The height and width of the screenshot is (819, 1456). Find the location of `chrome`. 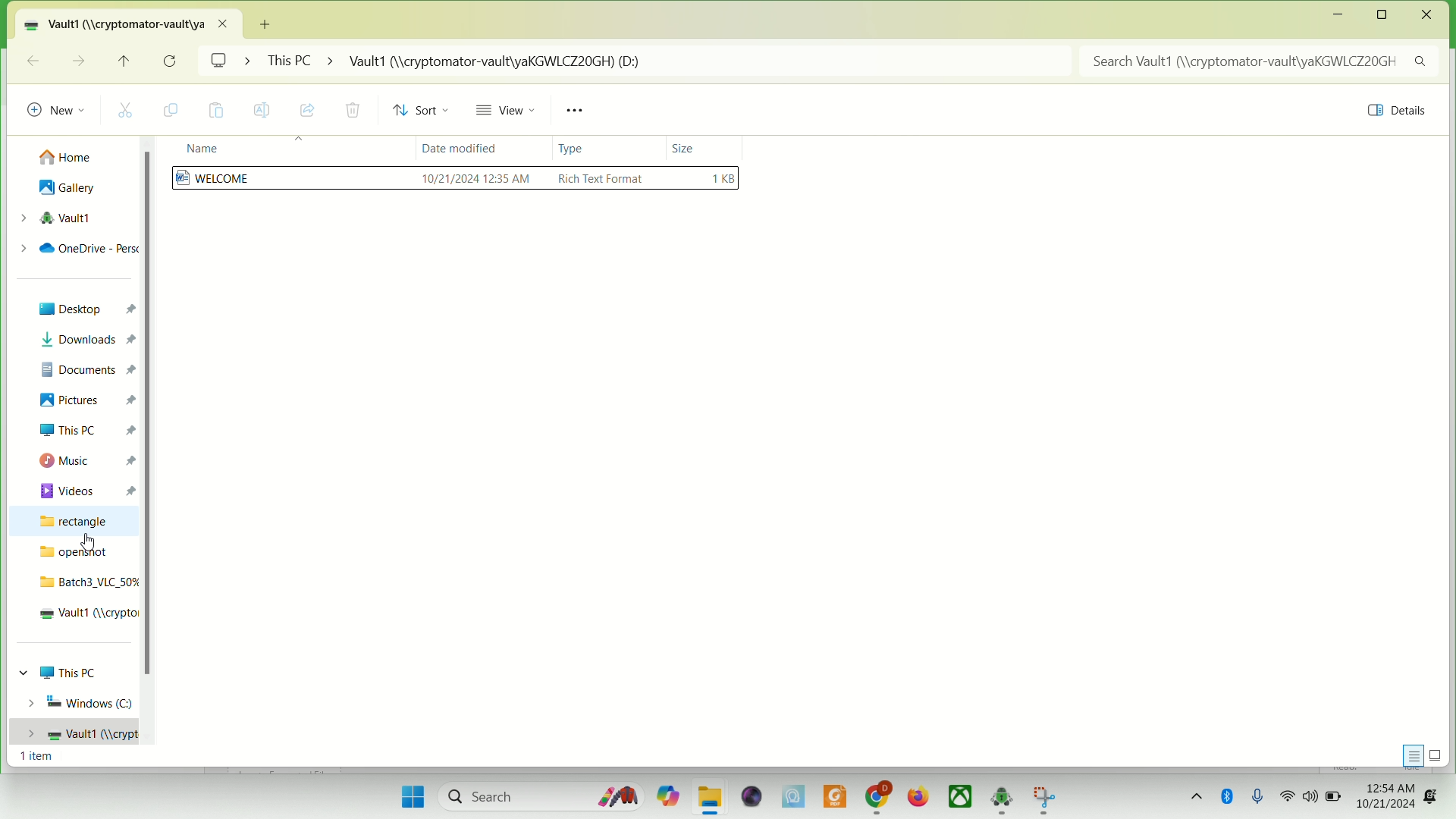

chrome is located at coordinates (877, 795).